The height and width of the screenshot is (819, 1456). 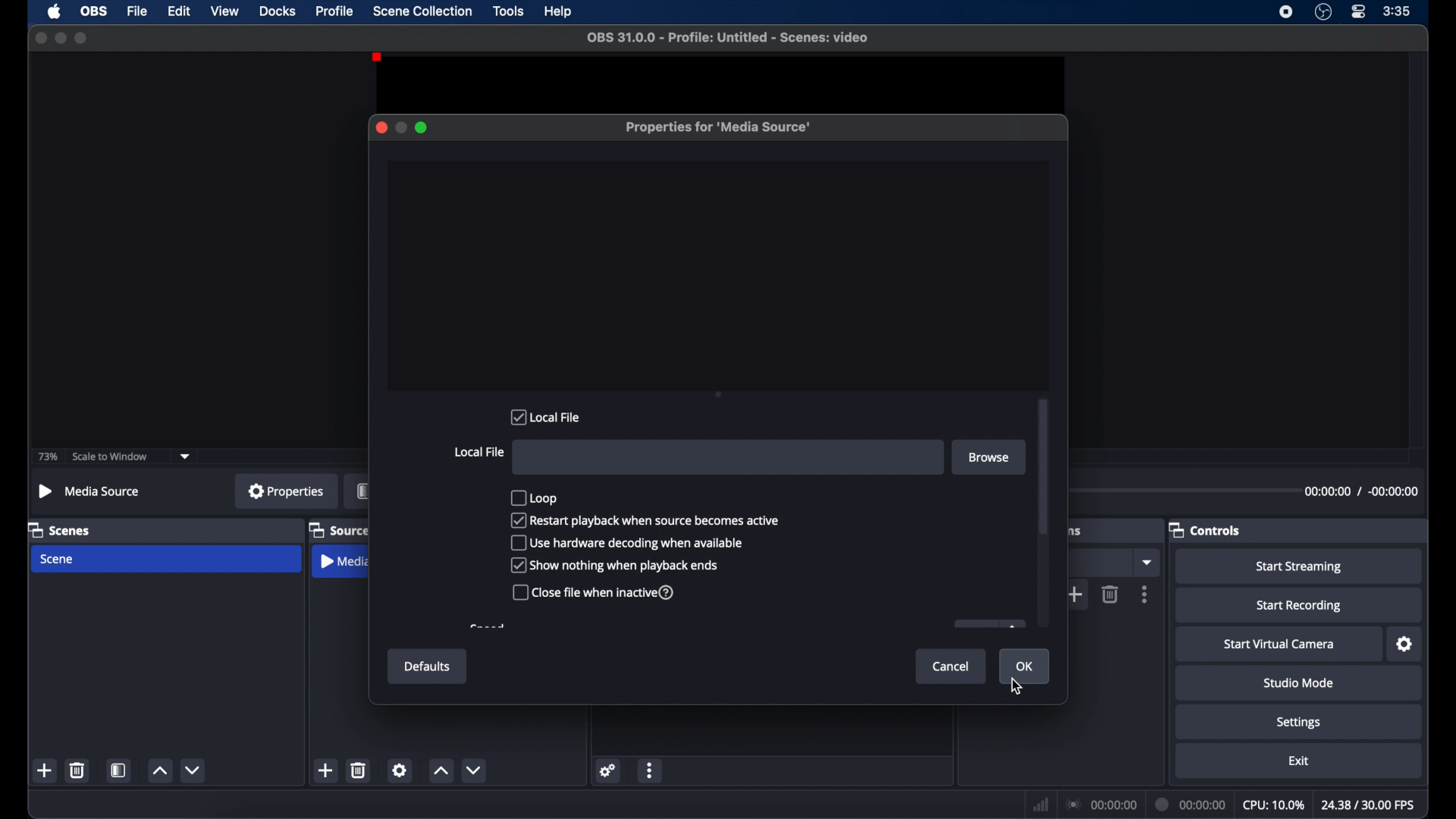 I want to click on duration, so click(x=1191, y=804).